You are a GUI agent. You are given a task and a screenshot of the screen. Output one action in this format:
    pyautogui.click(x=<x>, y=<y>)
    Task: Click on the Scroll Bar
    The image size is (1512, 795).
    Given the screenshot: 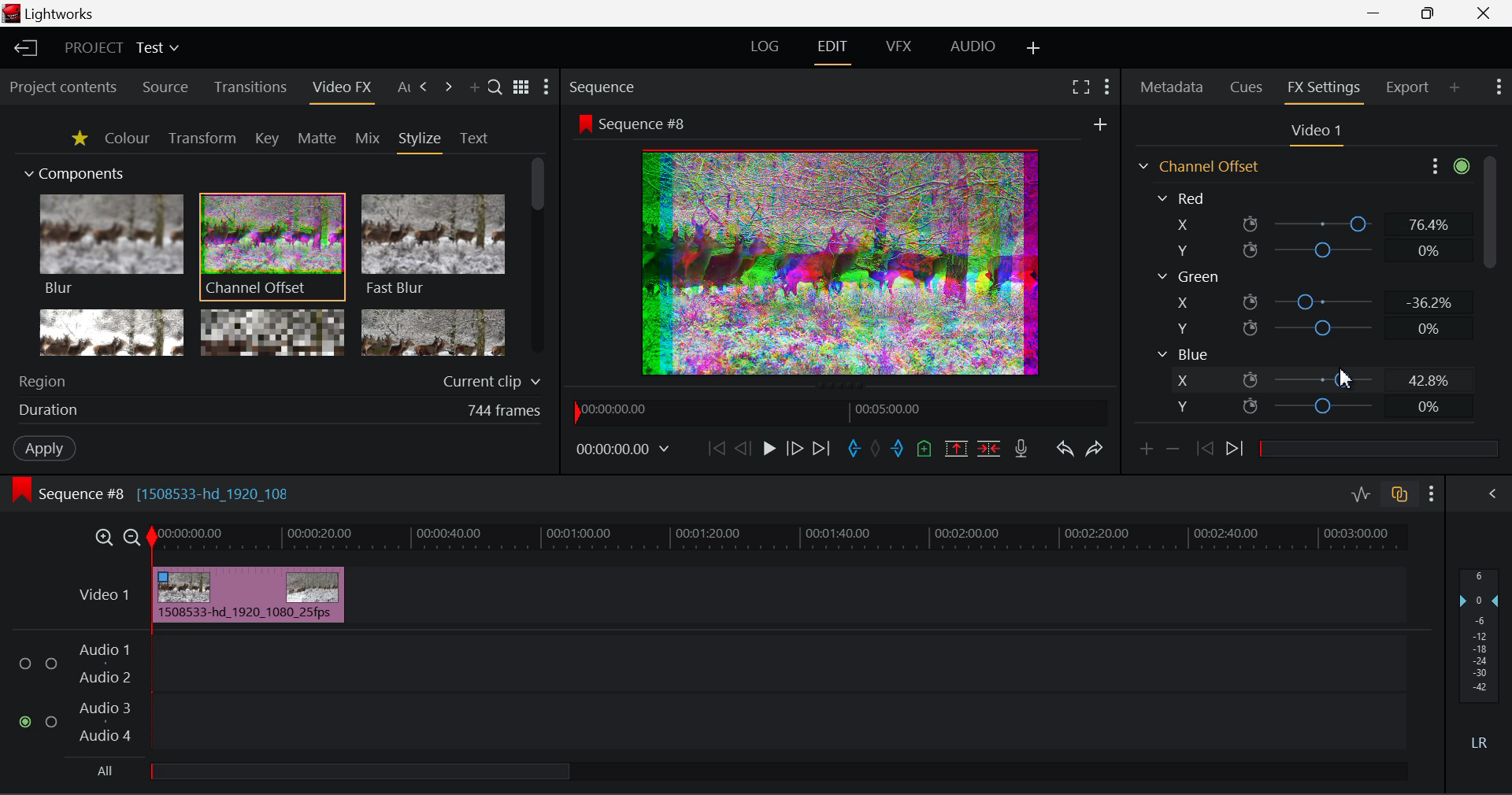 What is the action you would take?
    pyautogui.click(x=1489, y=294)
    